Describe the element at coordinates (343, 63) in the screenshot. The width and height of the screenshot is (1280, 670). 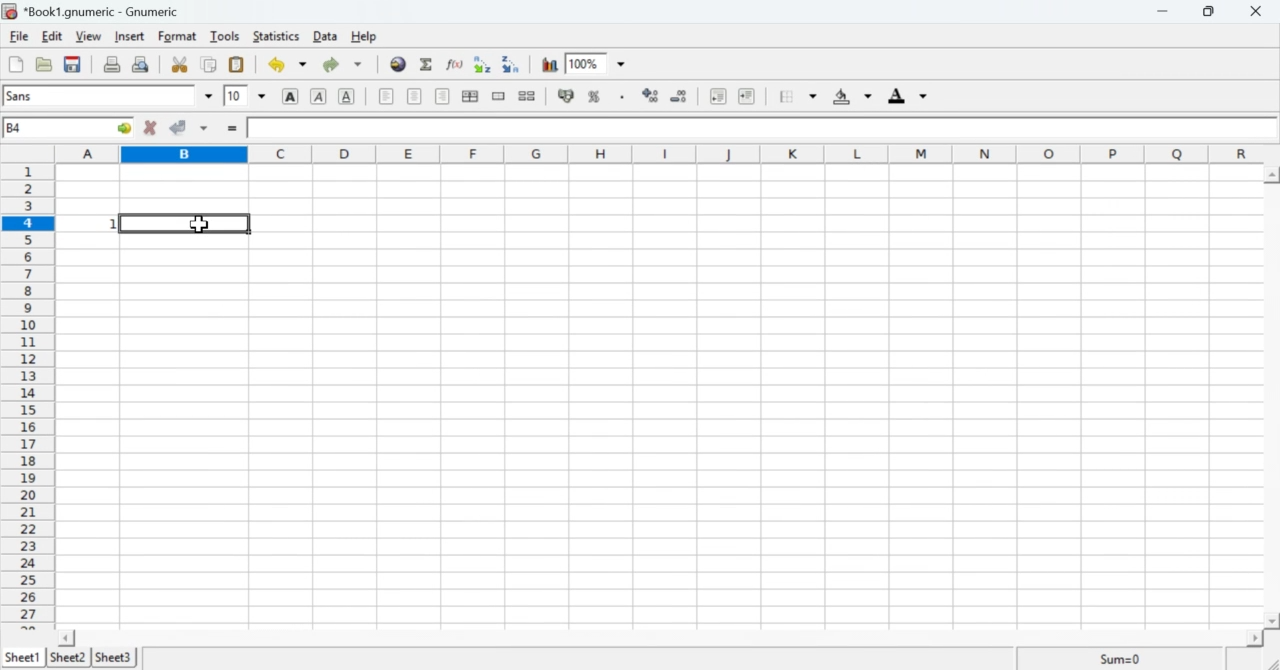
I see `Redo` at that location.